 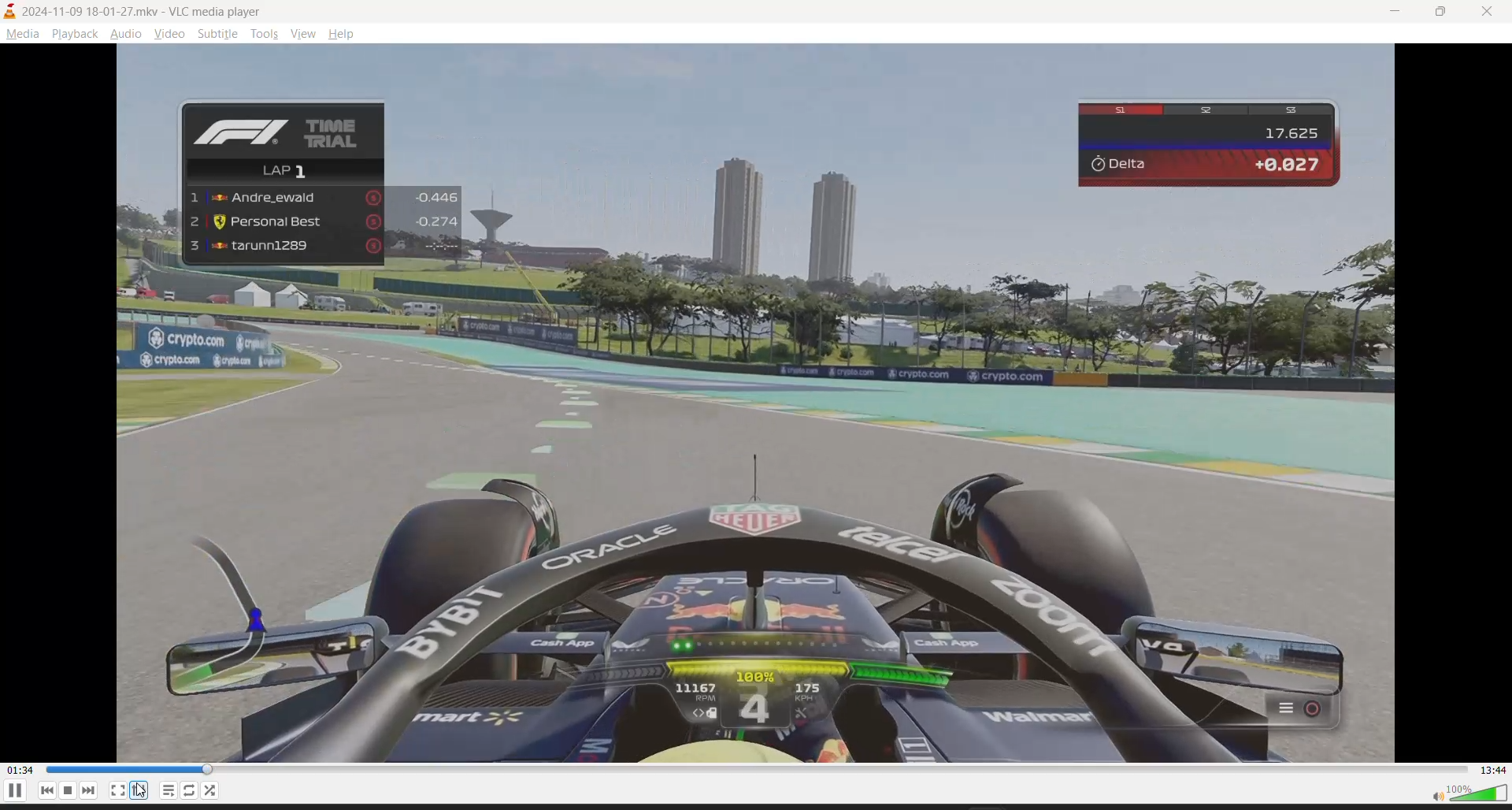 I want to click on minimize, so click(x=1390, y=12).